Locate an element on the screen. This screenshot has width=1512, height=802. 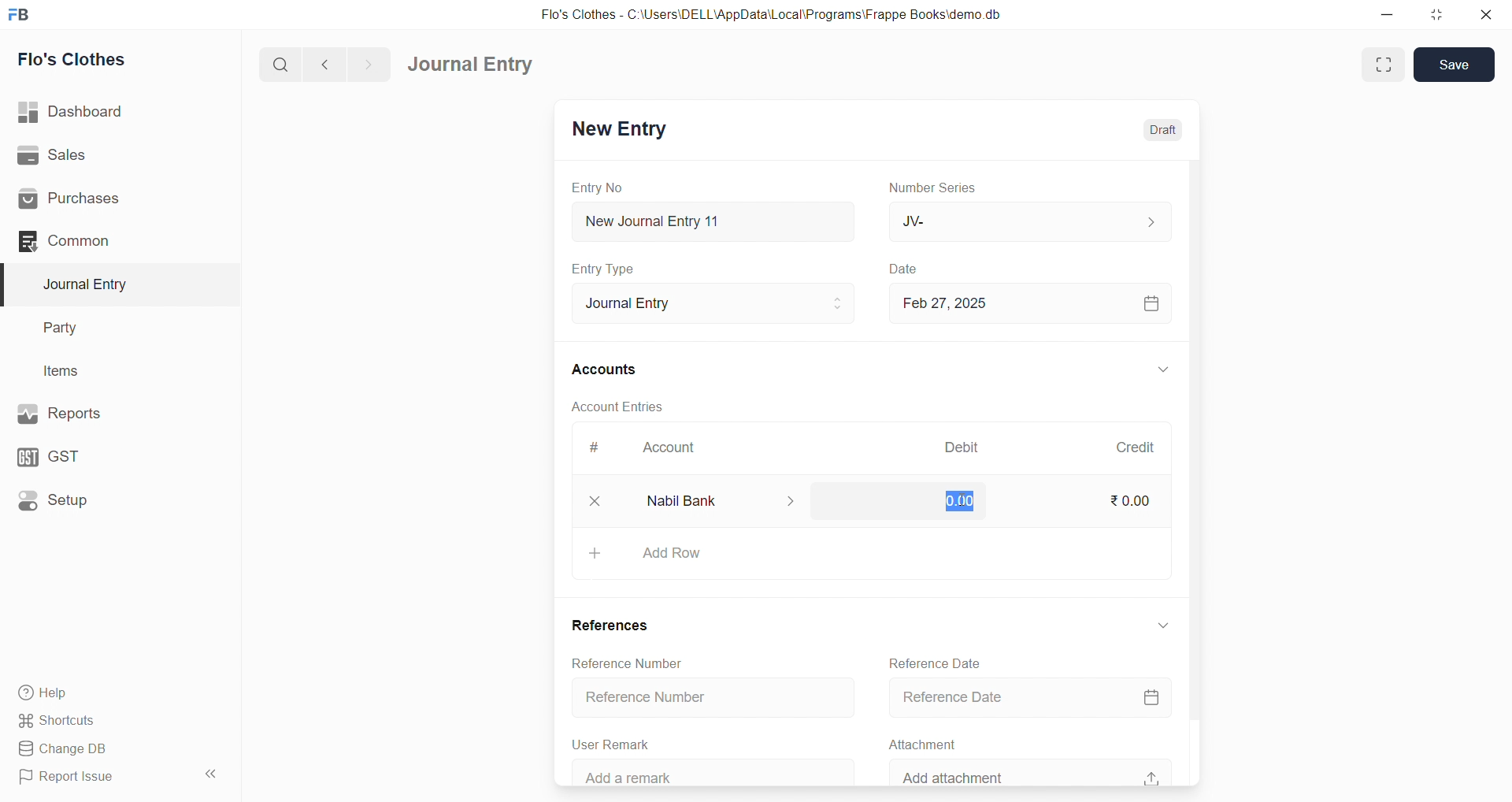
Report Issue is located at coordinates (94, 780).